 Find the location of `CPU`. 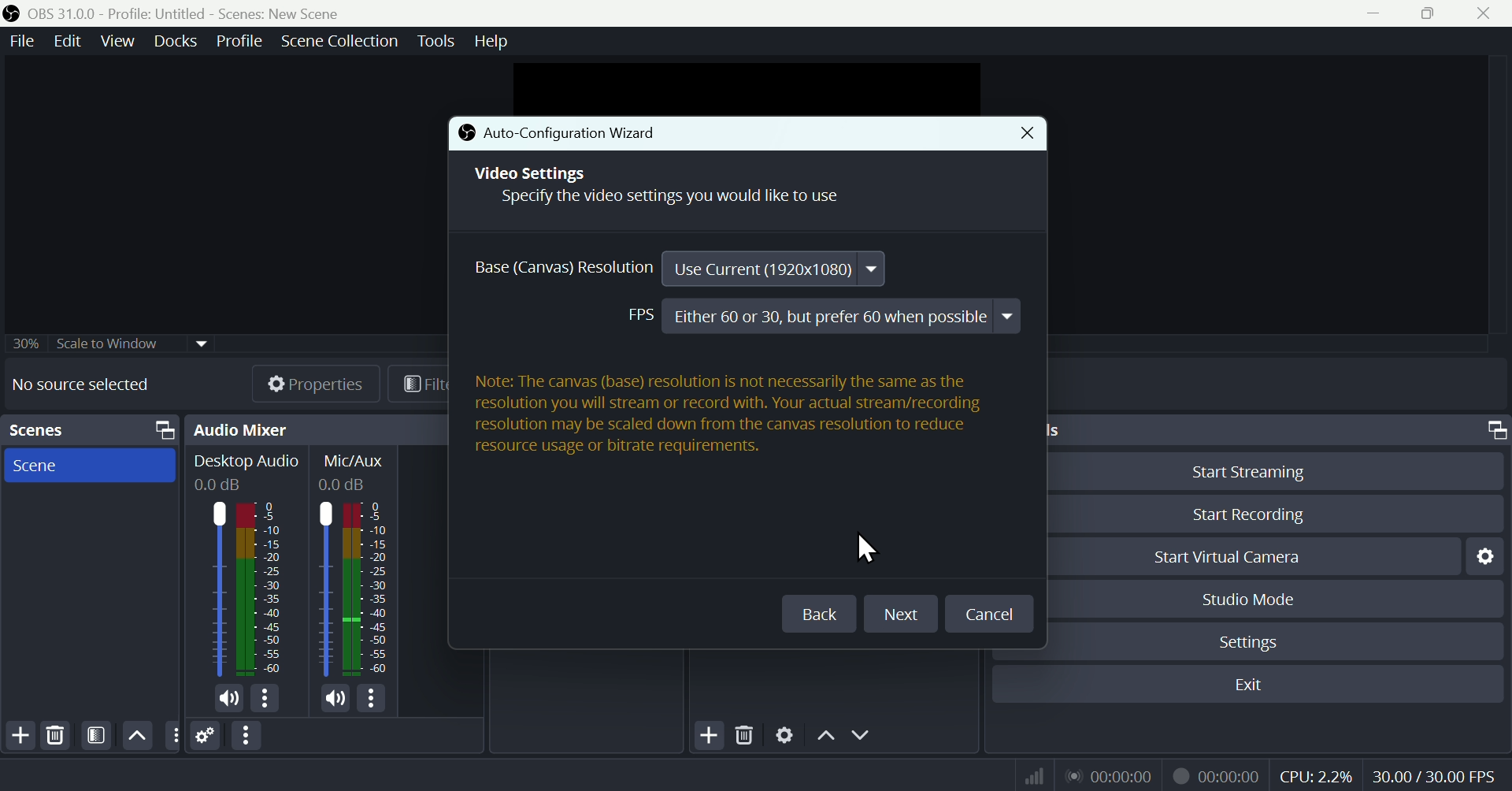

CPU is located at coordinates (1315, 774).